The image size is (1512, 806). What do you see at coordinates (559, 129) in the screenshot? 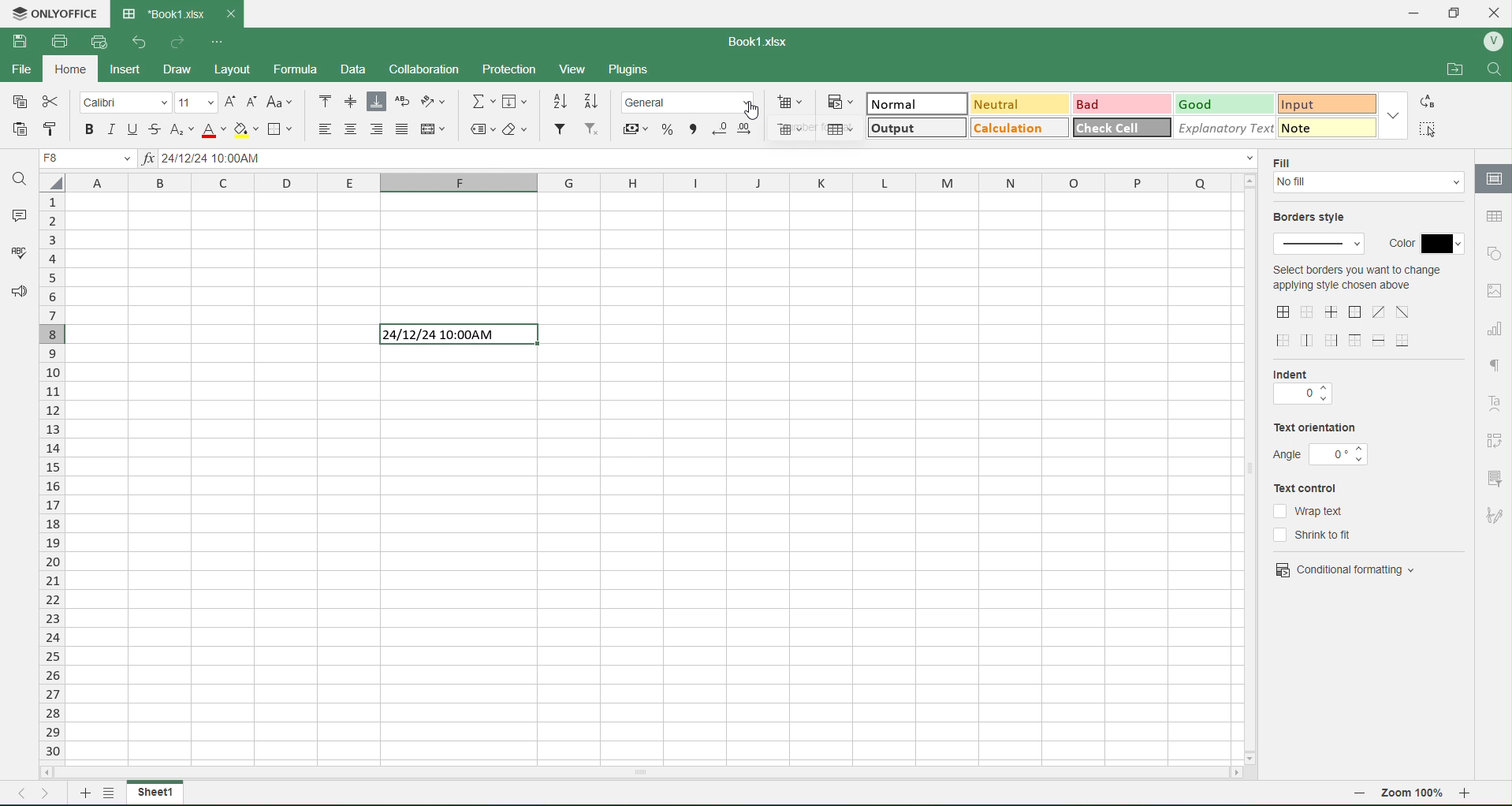
I see `Filter` at bounding box center [559, 129].